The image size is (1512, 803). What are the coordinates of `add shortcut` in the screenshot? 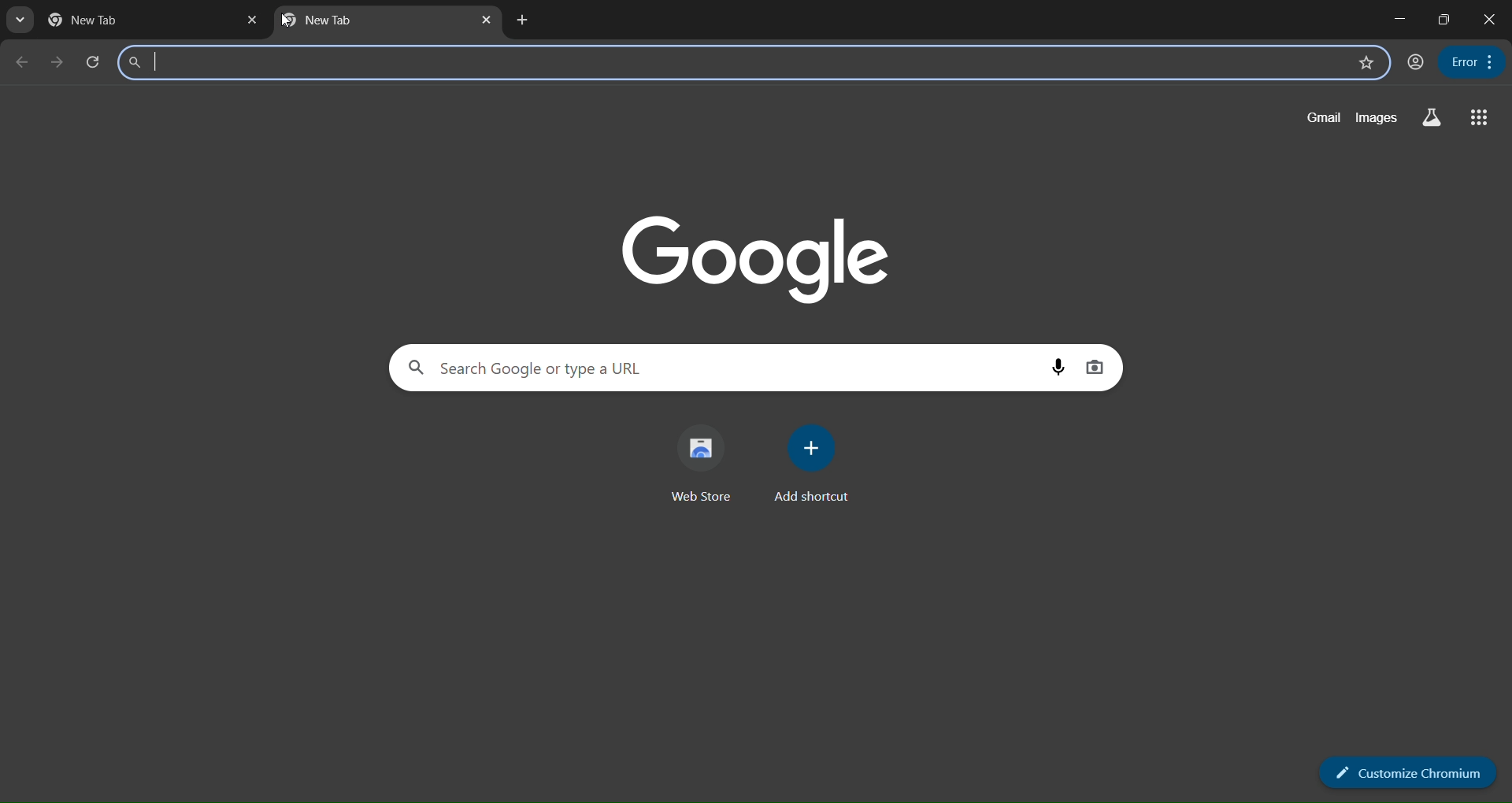 It's located at (806, 465).